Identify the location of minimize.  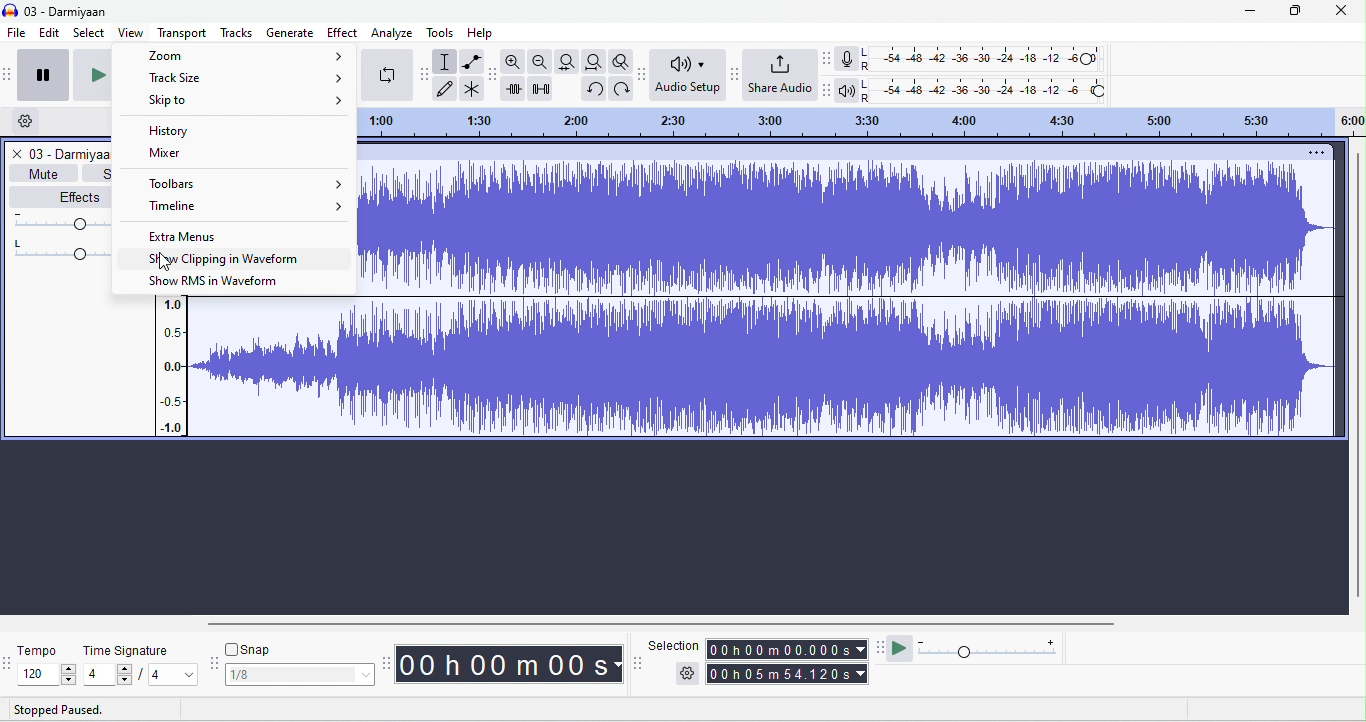
(1249, 14).